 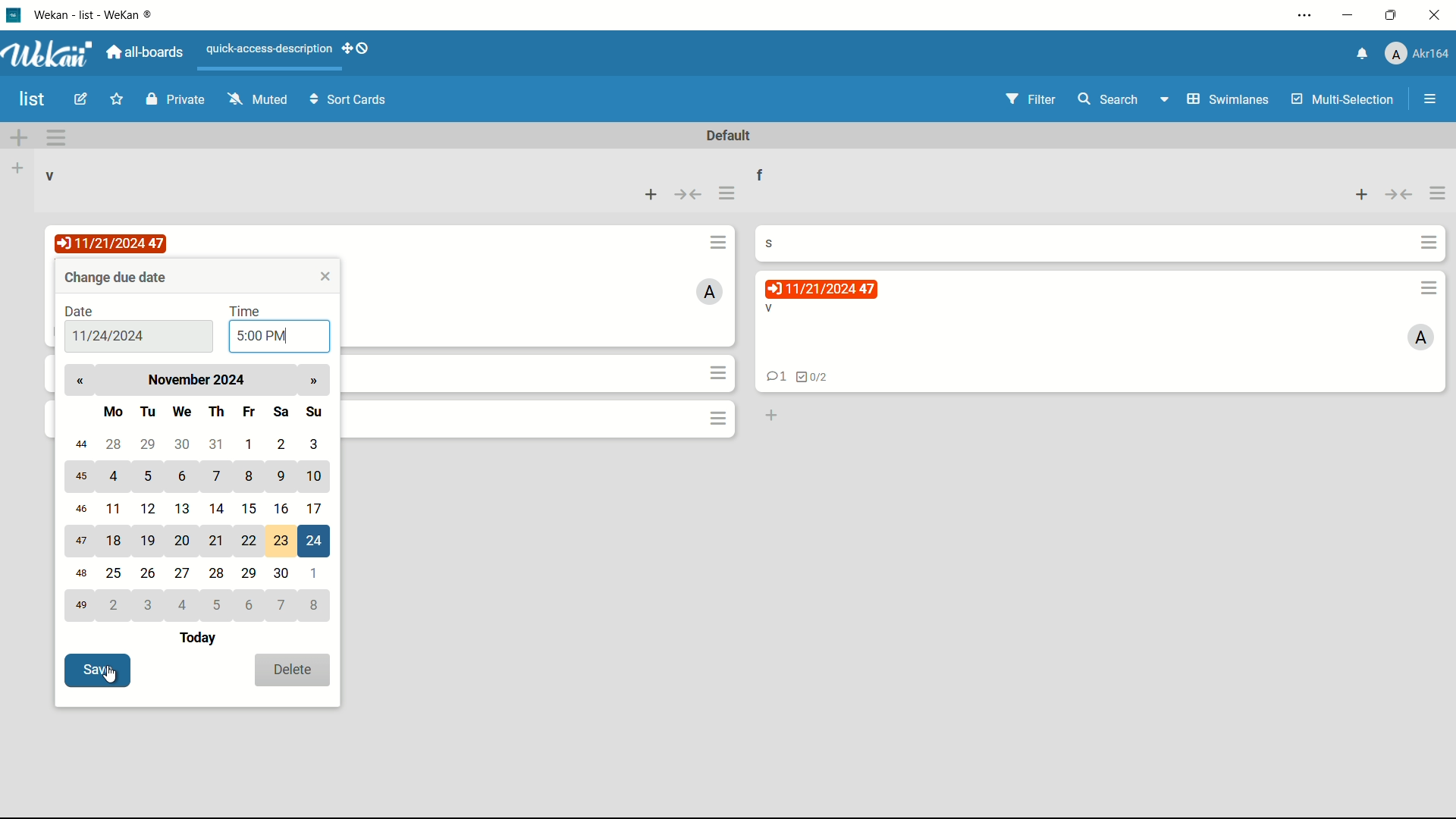 I want to click on search, so click(x=1109, y=101).